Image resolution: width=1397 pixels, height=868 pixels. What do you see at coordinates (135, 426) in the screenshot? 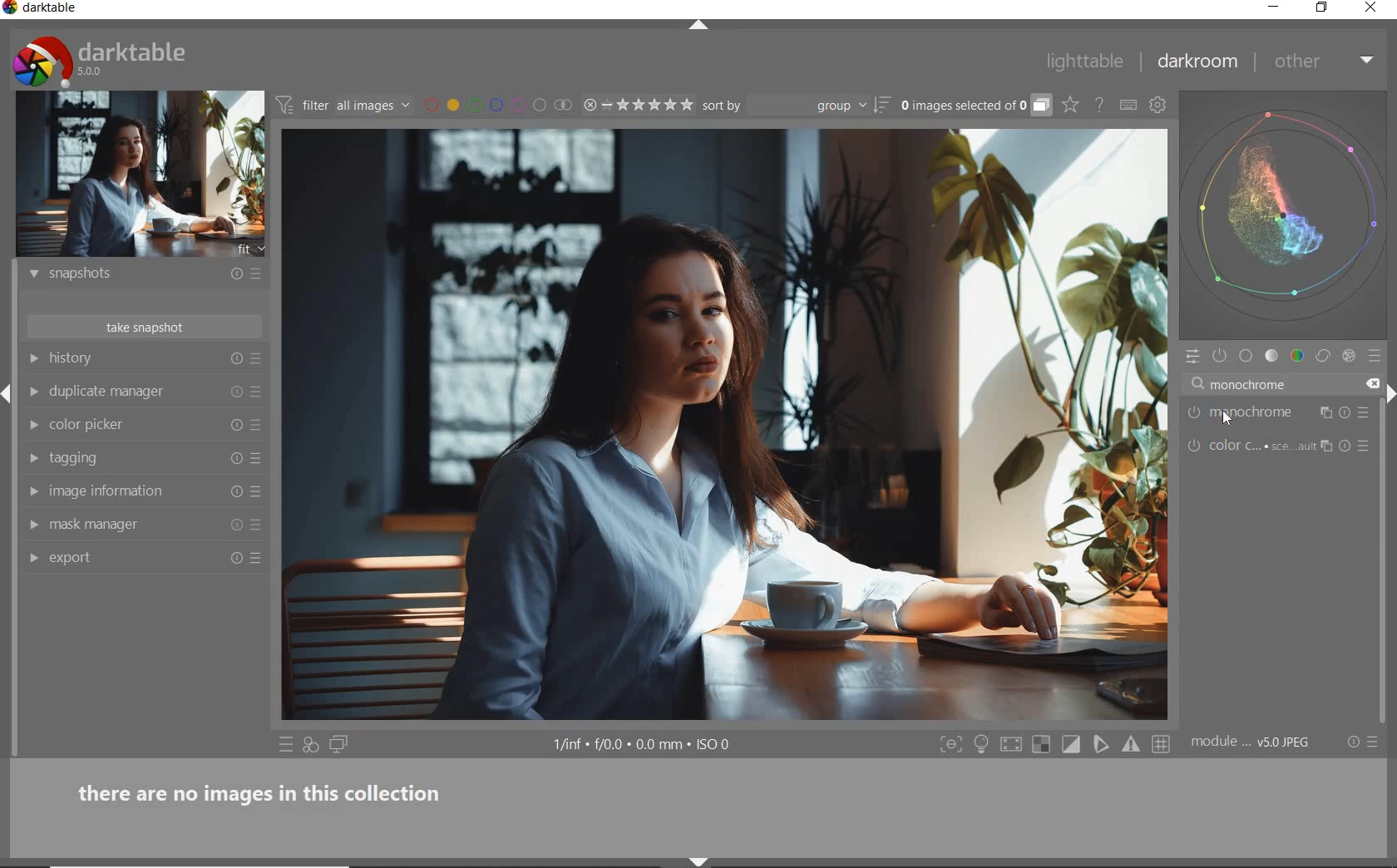
I see `color picker` at bounding box center [135, 426].